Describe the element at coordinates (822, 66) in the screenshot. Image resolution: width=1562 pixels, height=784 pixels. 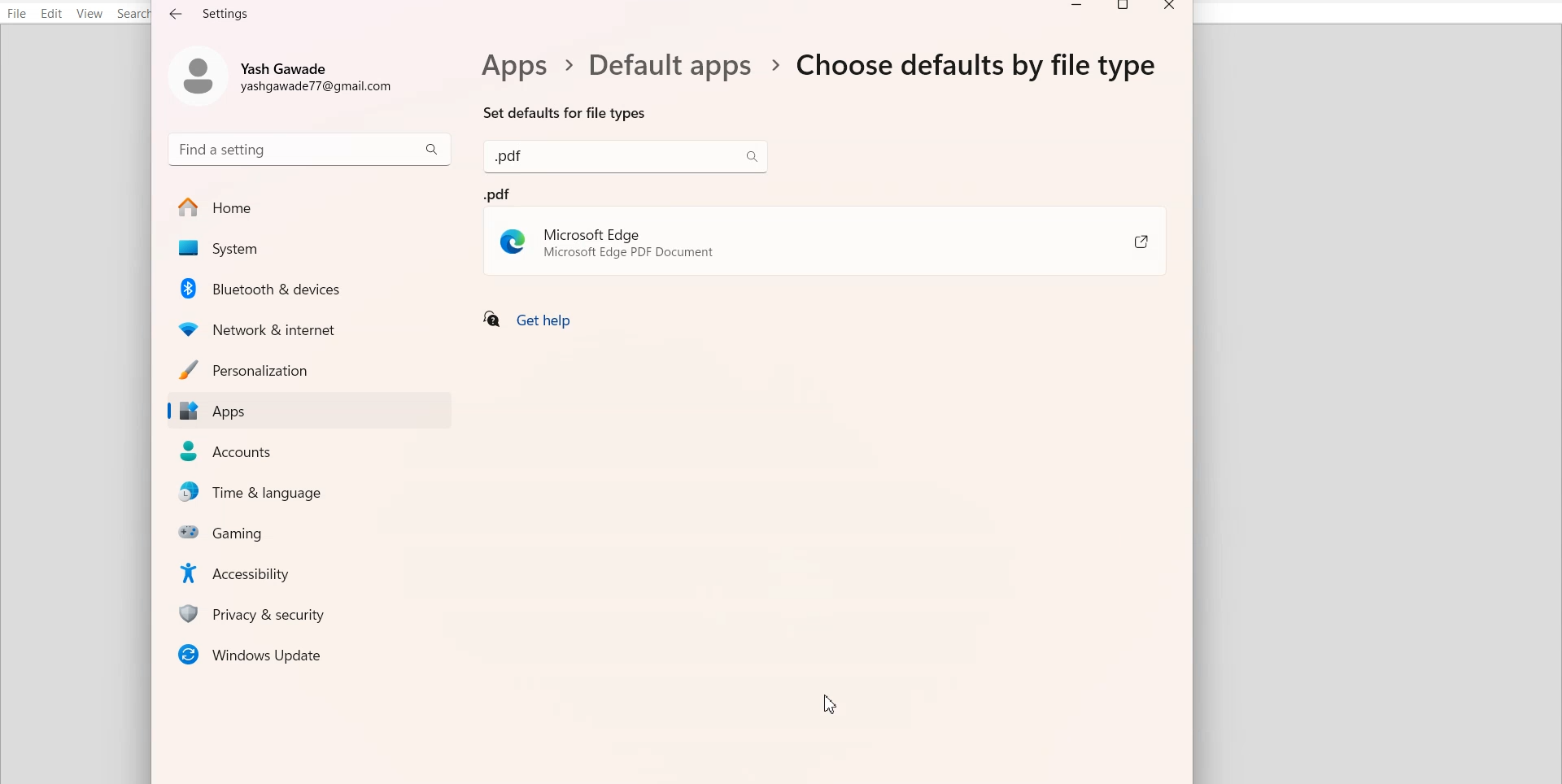
I see `Text` at that location.